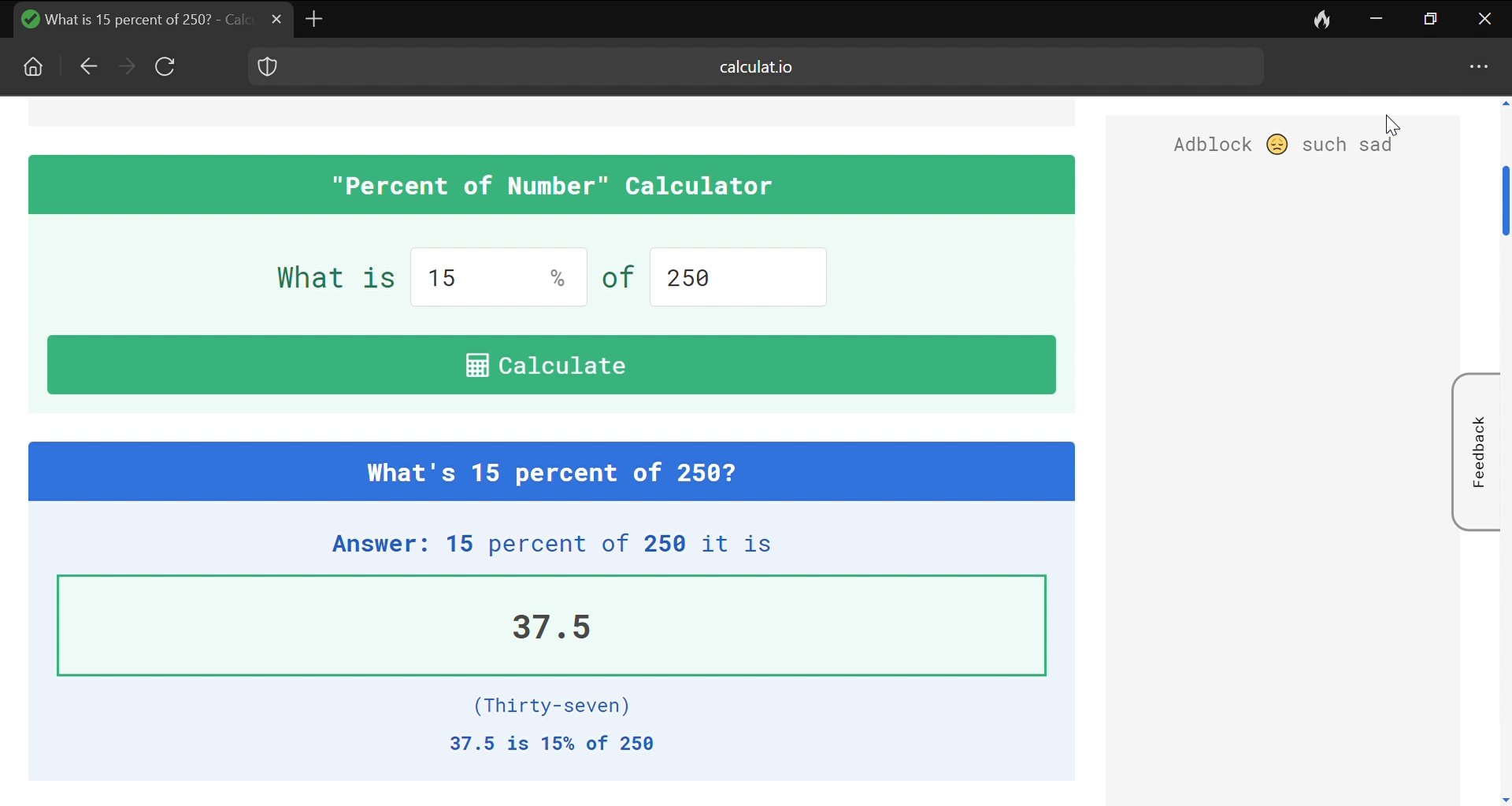 The height and width of the screenshot is (806, 1512). What do you see at coordinates (1280, 145) in the screenshot?
I see `Adblock such sad` at bounding box center [1280, 145].